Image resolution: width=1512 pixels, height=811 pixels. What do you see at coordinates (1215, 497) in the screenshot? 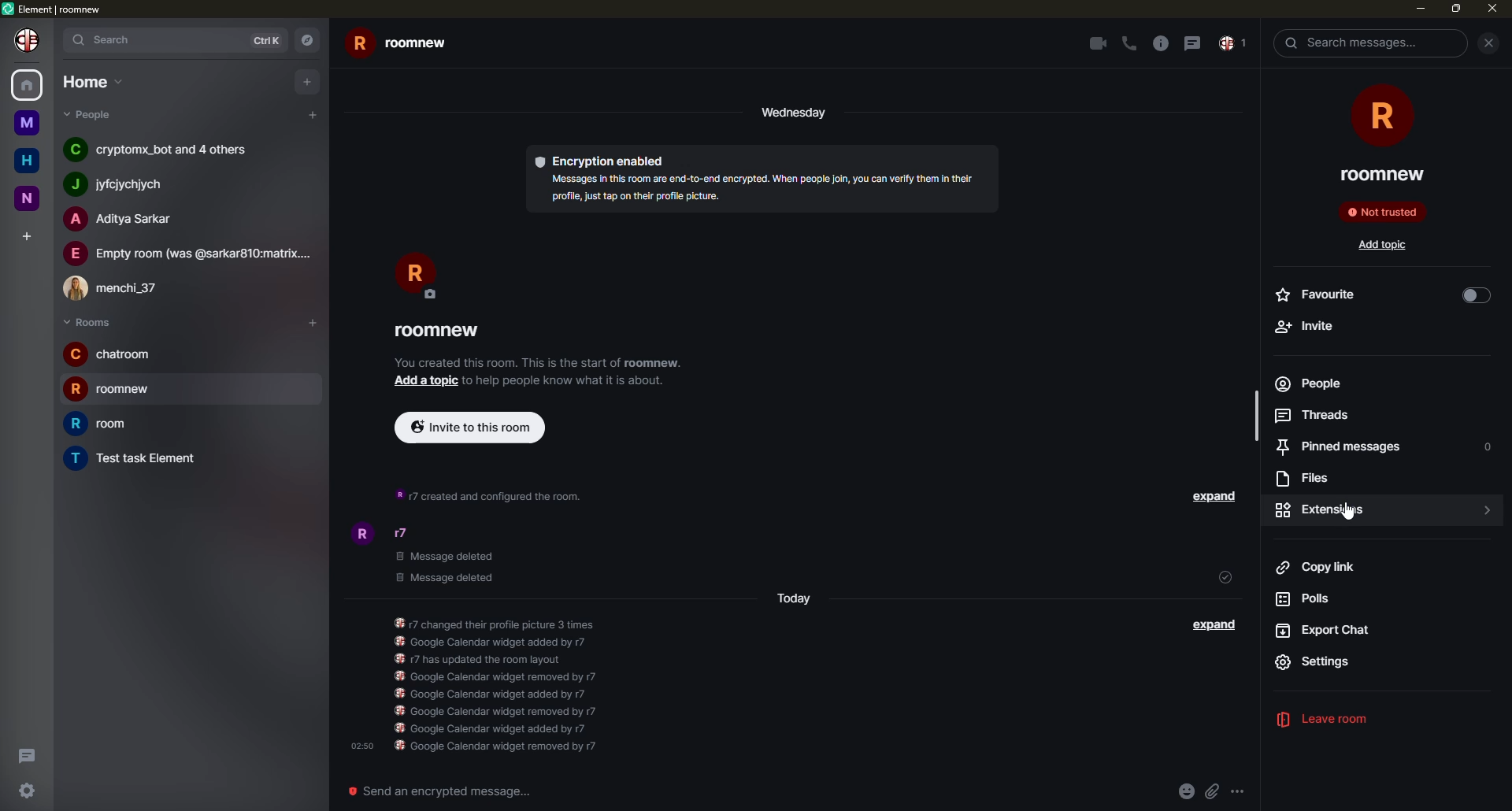
I see `expand` at bounding box center [1215, 497].